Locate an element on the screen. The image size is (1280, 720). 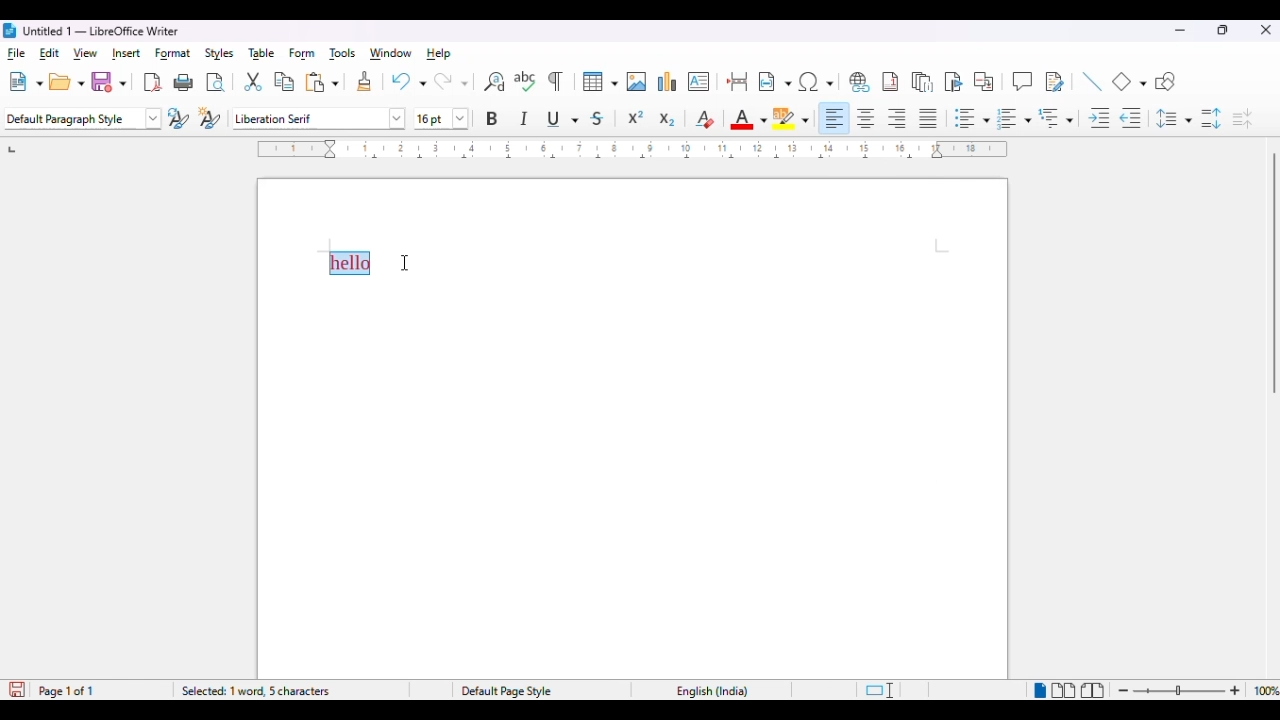
superscript is located at coordinates (636, 117).